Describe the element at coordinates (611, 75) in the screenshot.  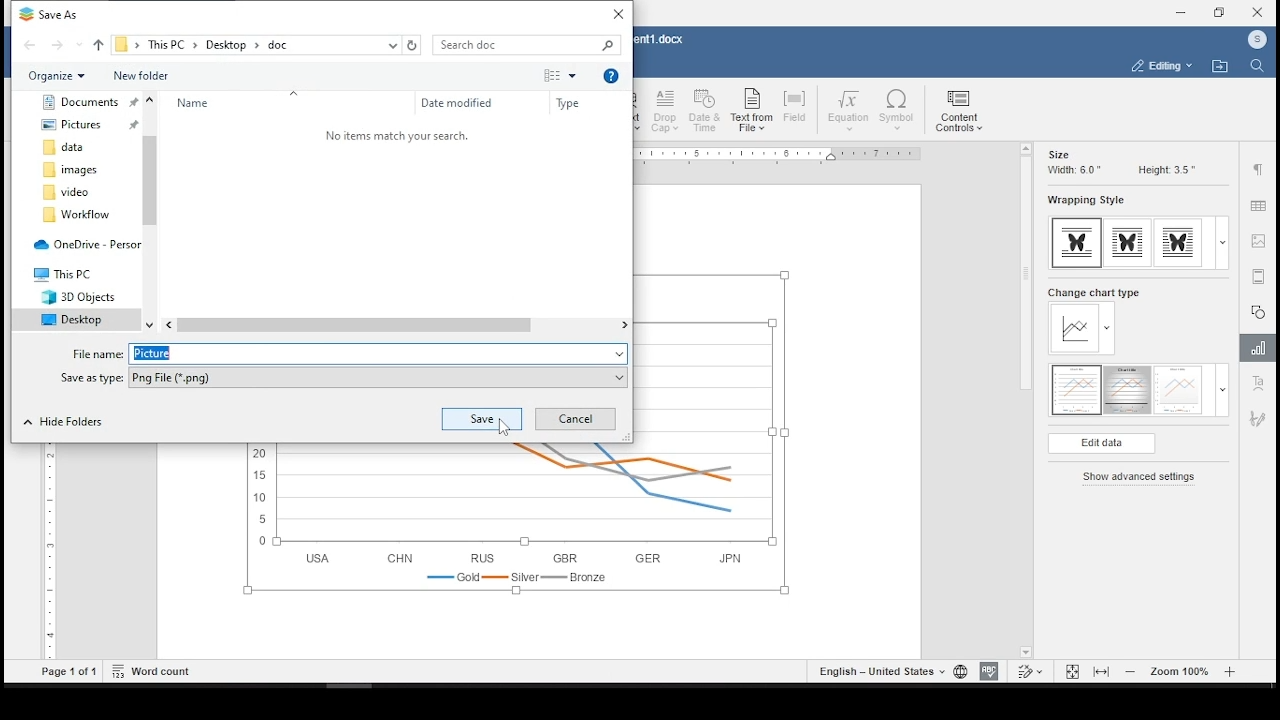
I see `get help` at that location.